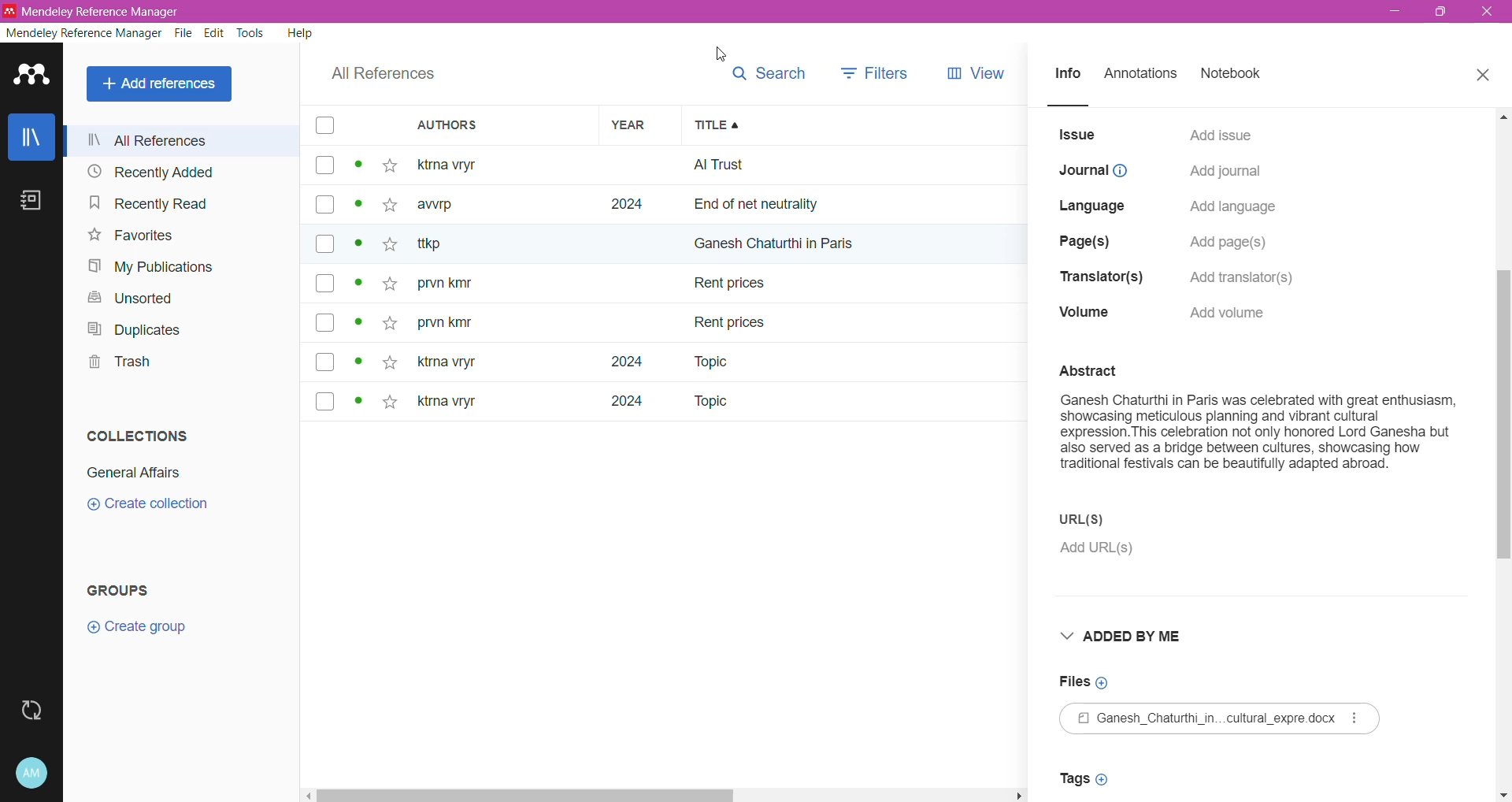 The height and width of the screenshot is (802, 1512). I want to click on File, so click(184, 35).